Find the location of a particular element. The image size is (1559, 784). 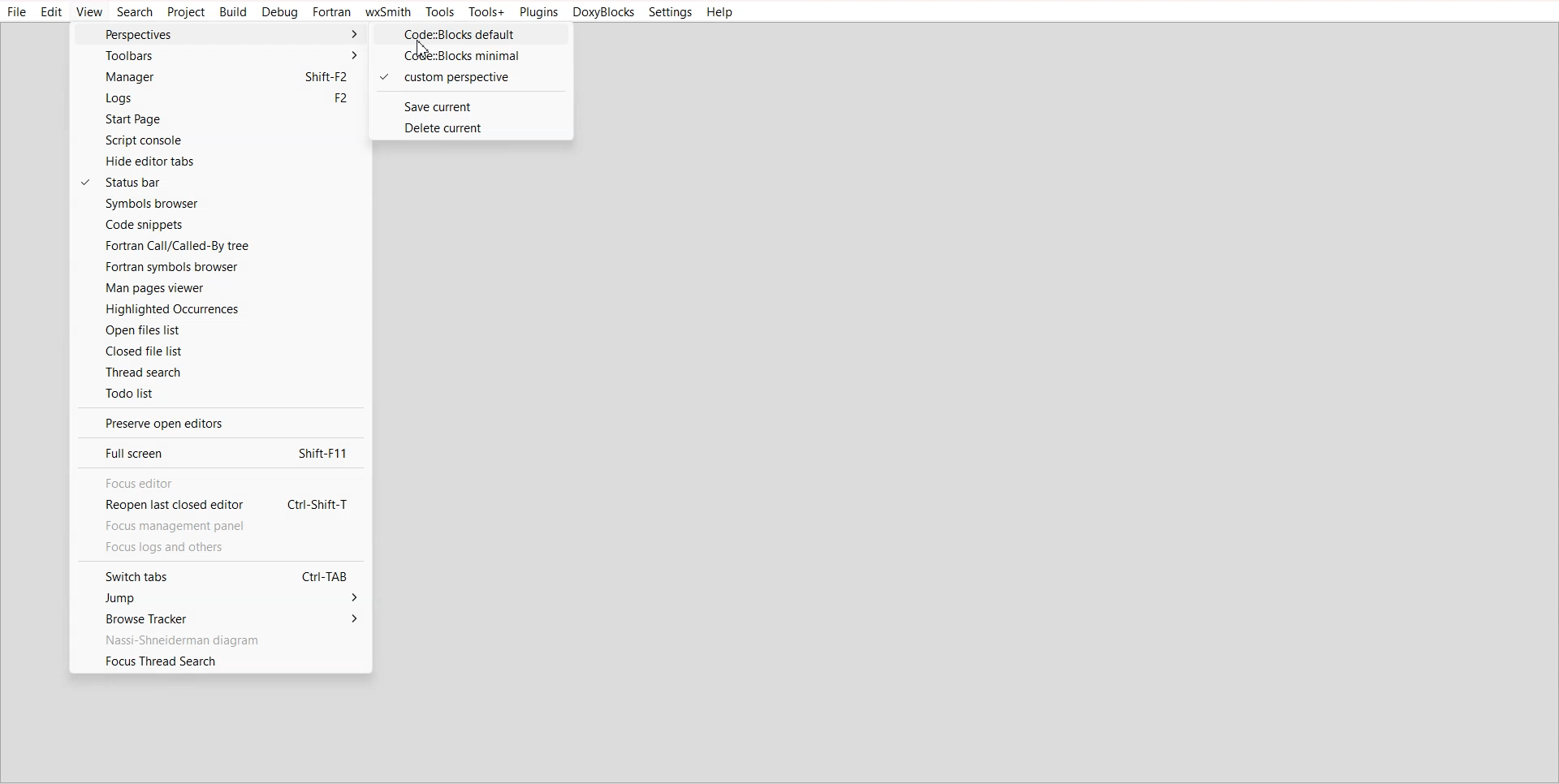

focus logs and others is located at coordinates (182, 548).